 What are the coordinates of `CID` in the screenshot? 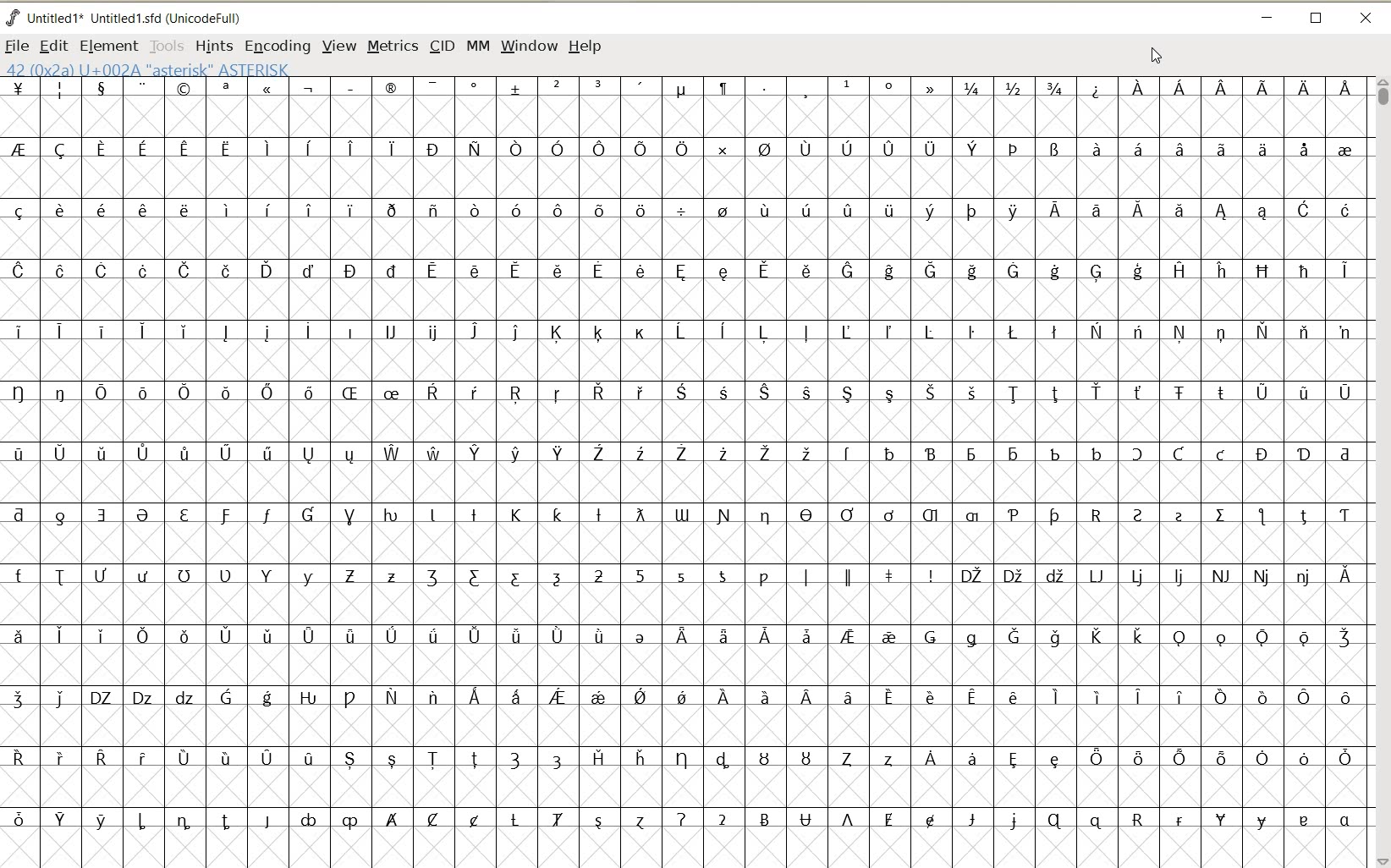 It's located at (440, 46).